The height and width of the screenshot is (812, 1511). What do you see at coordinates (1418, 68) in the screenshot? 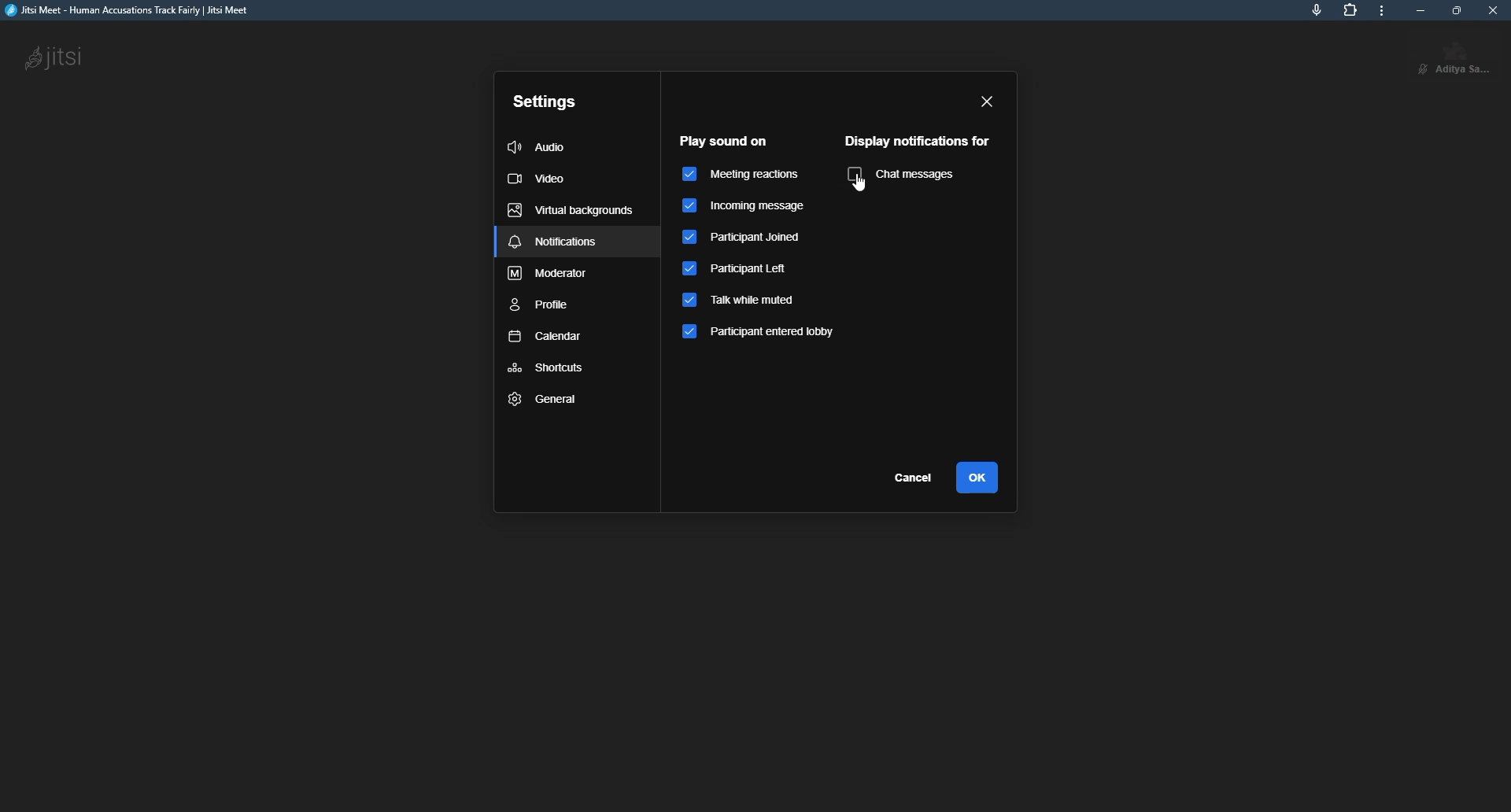
I see `unmute` at bounding box center [1418, 68].